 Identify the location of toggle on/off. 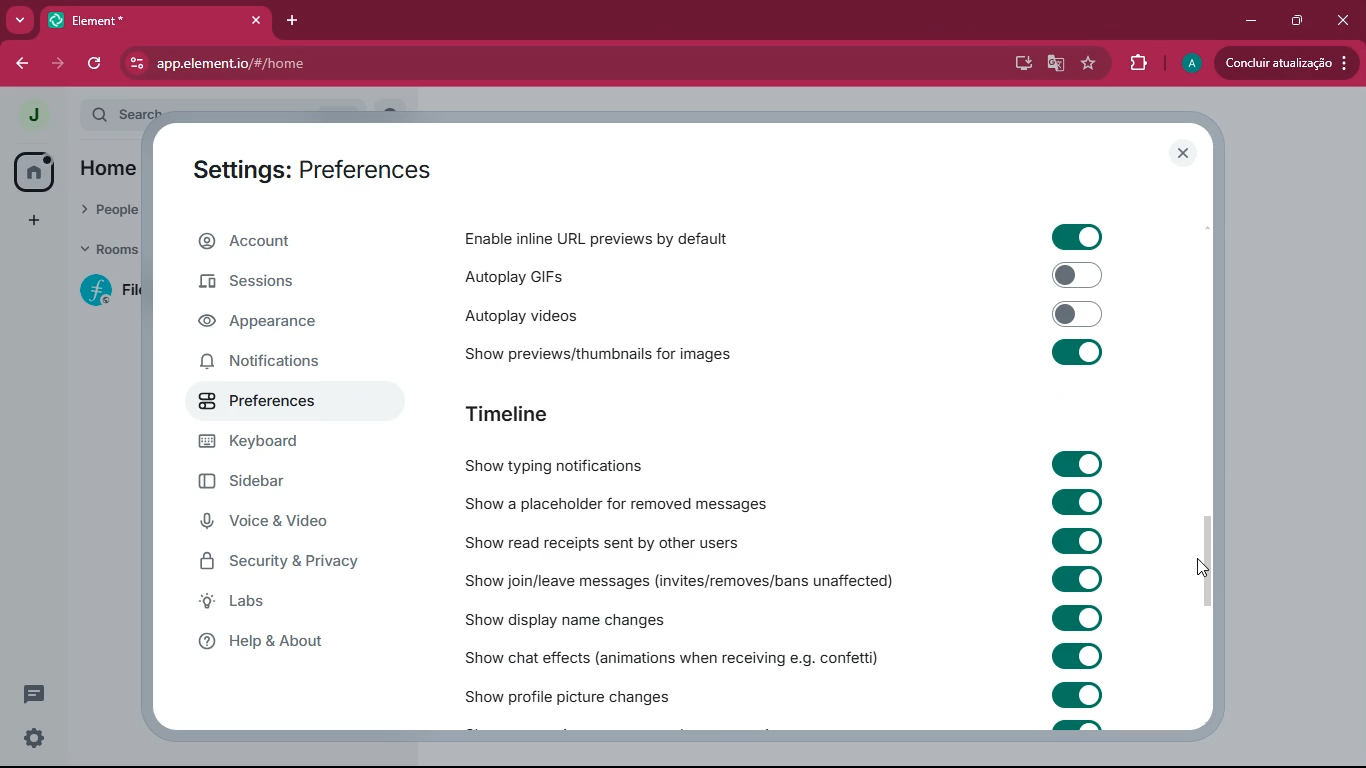
(1078, 541).